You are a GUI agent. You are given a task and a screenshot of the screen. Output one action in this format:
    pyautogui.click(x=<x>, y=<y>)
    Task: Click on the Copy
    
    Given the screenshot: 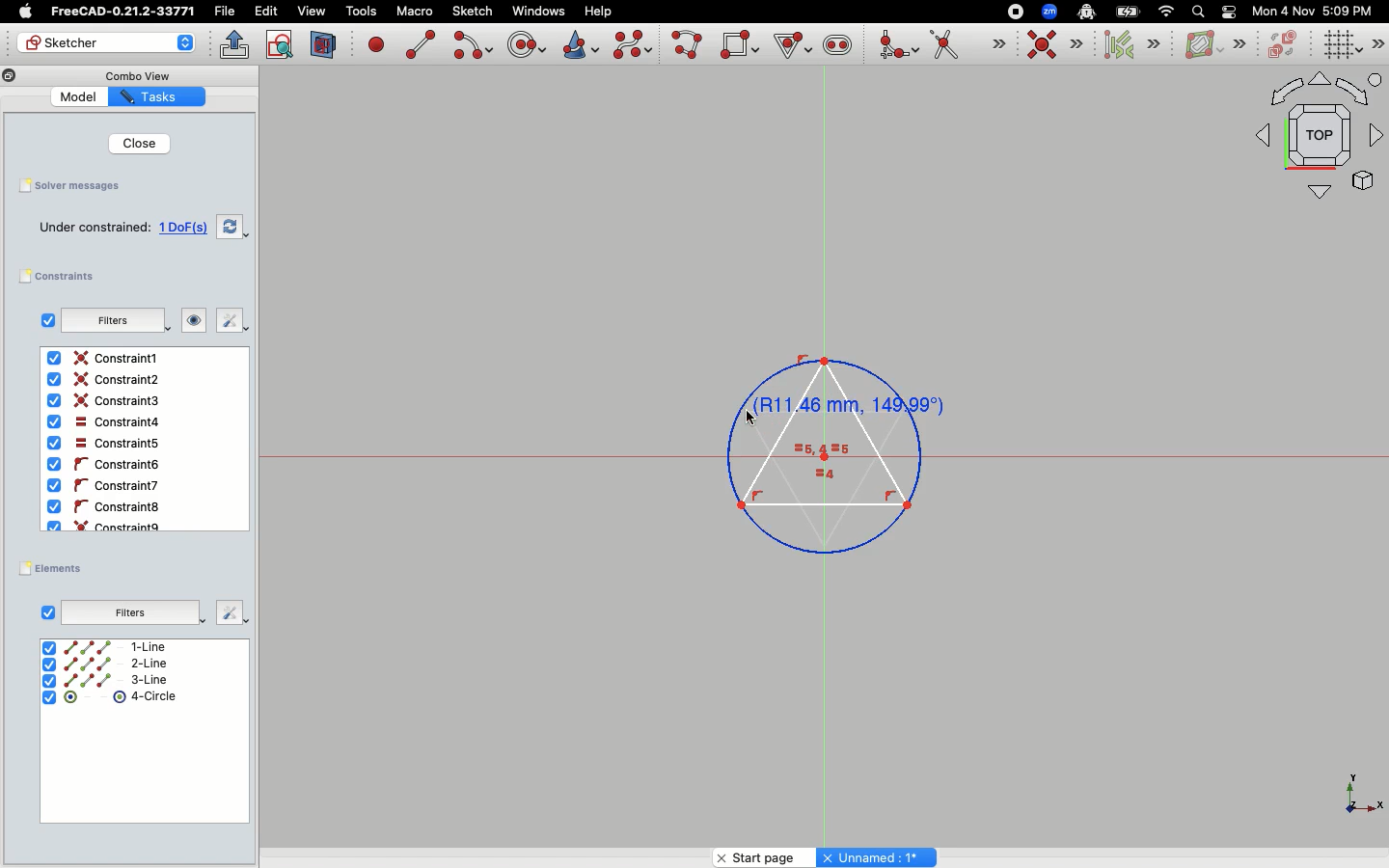 What is the action you would take?
    pyautogui.click(x=10, y=78)
    